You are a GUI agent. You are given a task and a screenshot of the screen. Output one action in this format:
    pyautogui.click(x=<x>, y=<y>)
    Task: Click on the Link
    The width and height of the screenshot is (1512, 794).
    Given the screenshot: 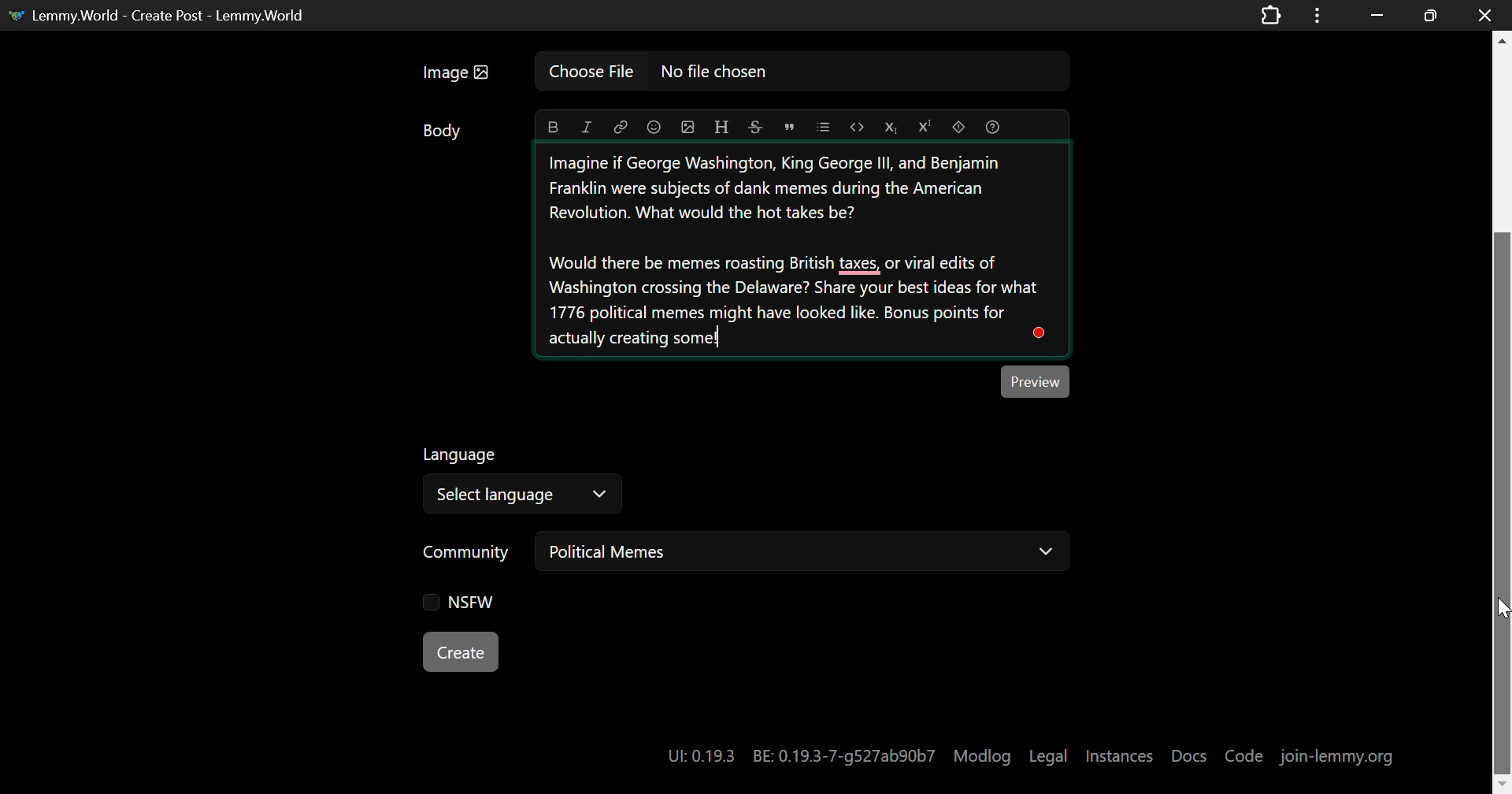 What is the action you would take?
    pyautogui.click(x=621, y=128)
    